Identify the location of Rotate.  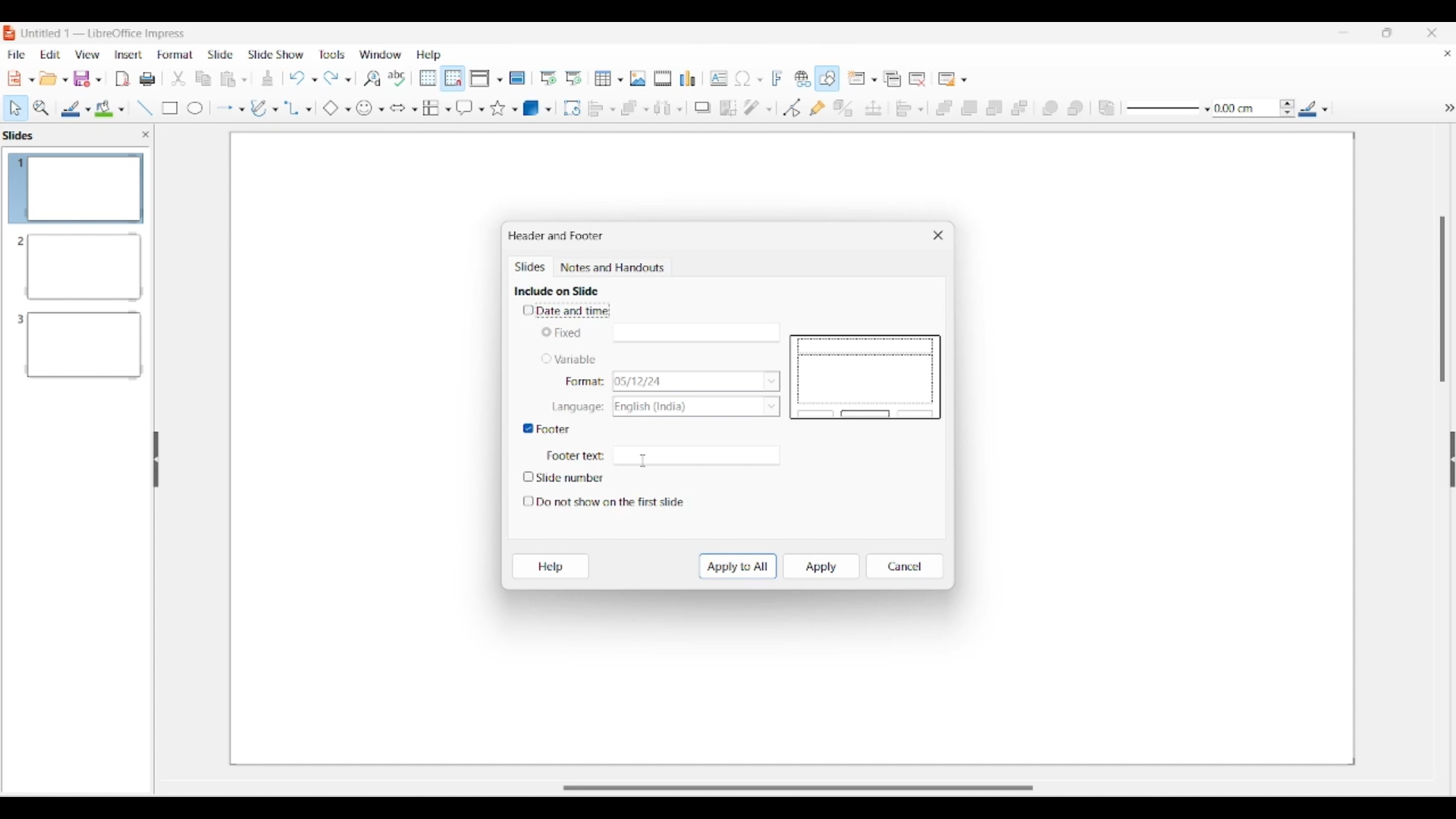
(573, 108).